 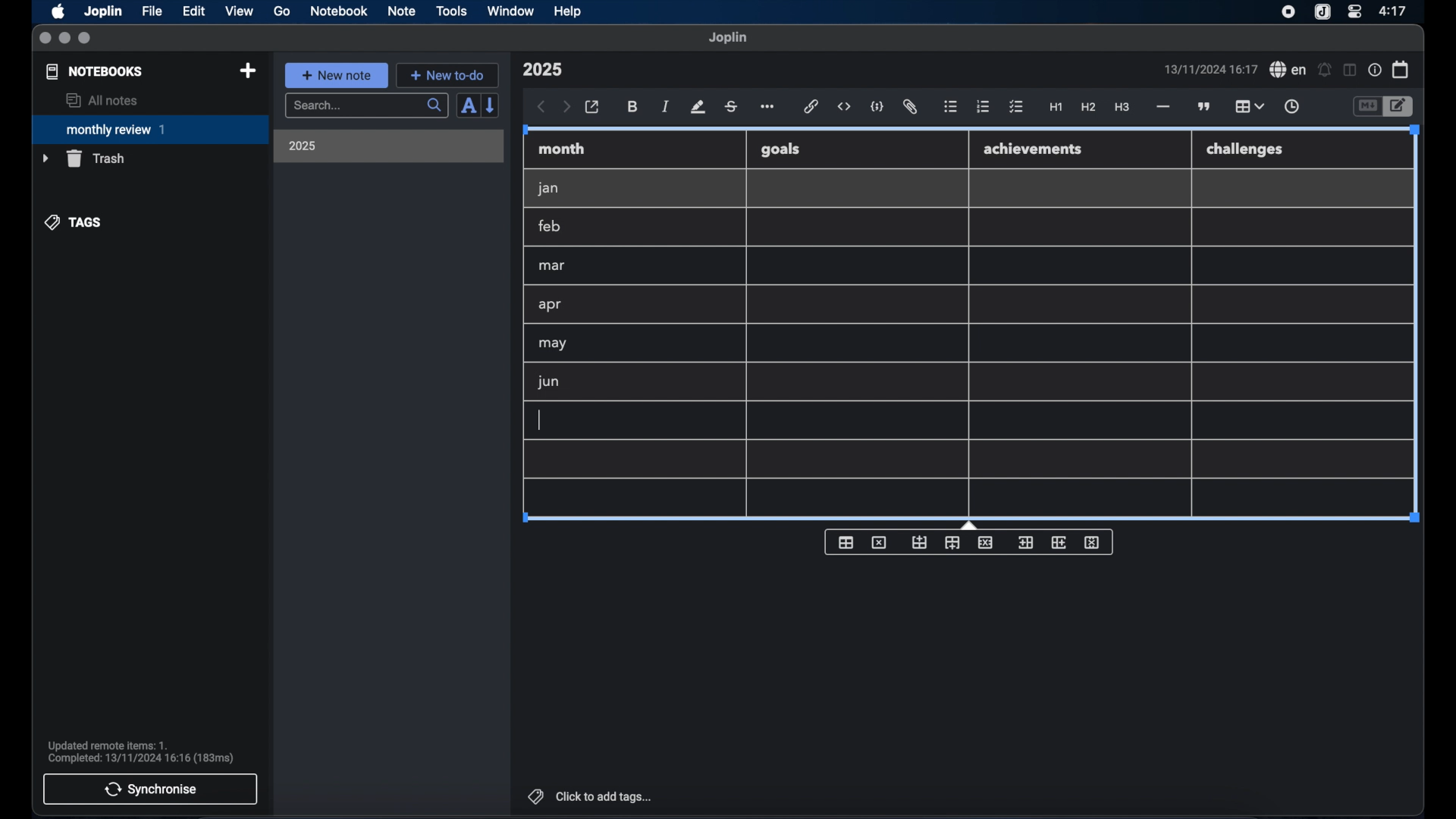 What do you see at coordinates (987, 541) in the screenshot?
I see `delete row` at bounding box center [987, 541].